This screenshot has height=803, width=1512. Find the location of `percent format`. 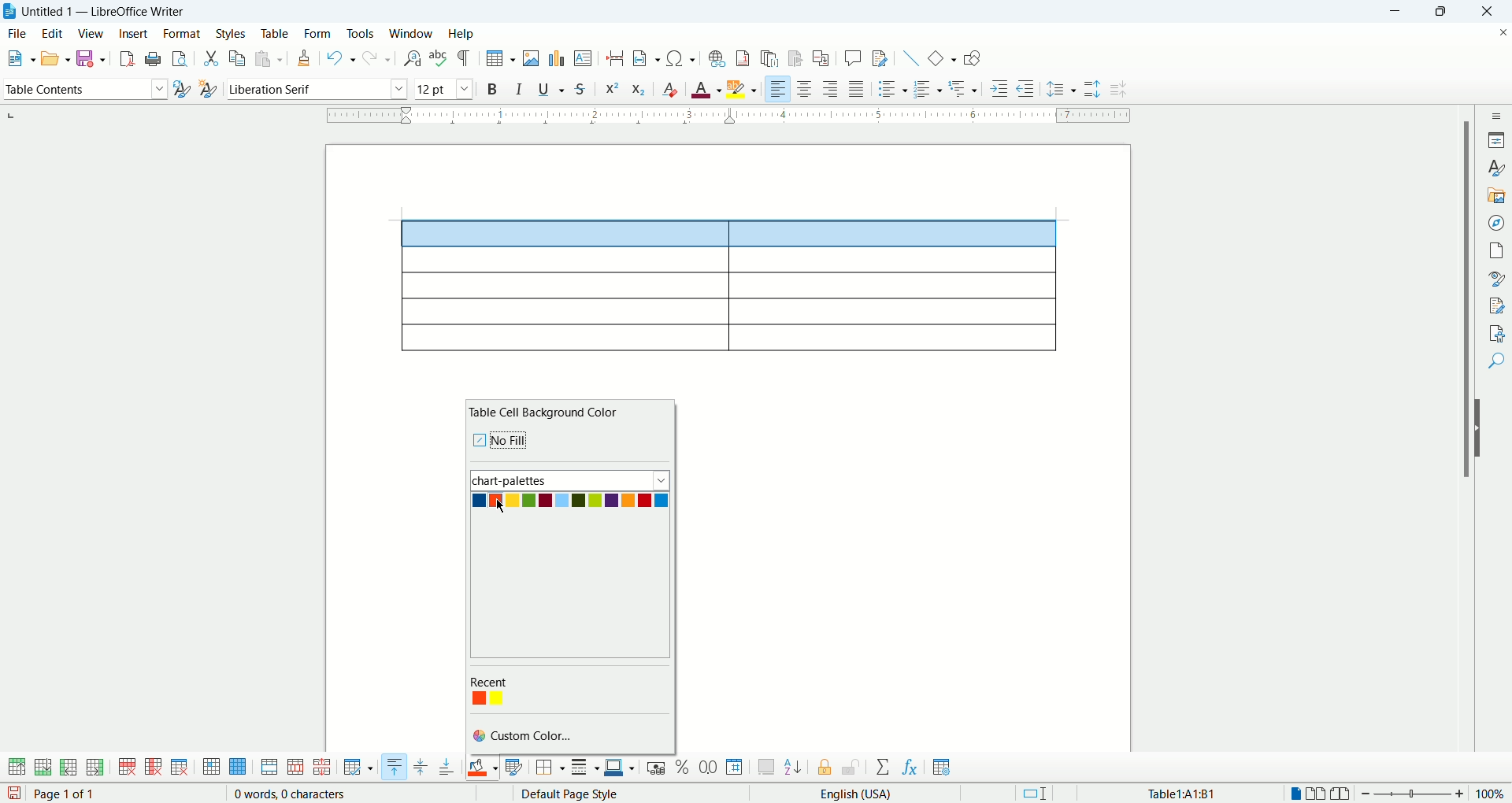

percent format is located at coordinates (684, 767).